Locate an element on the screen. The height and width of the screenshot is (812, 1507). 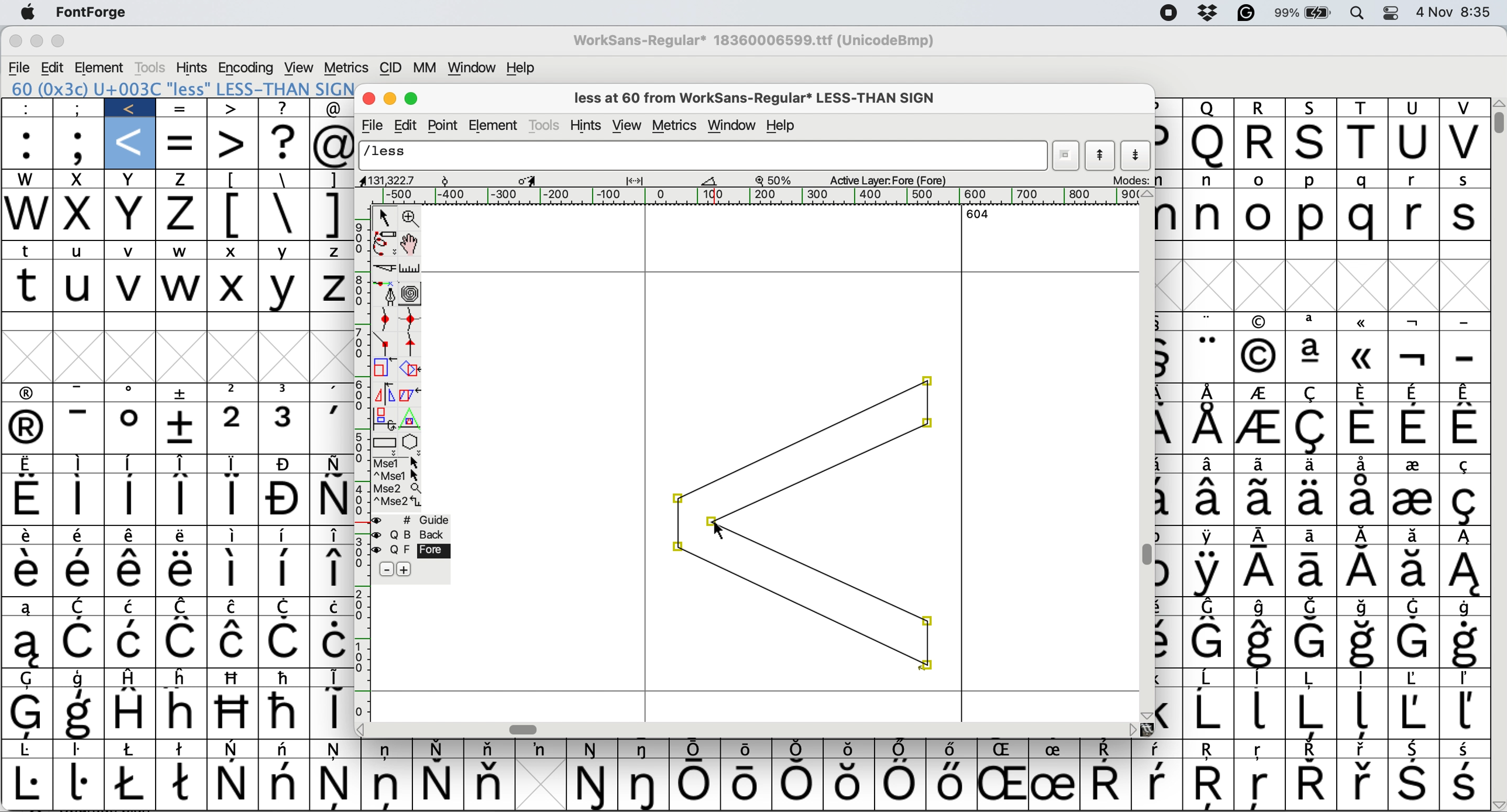
< is located at coordinates (132, 143).